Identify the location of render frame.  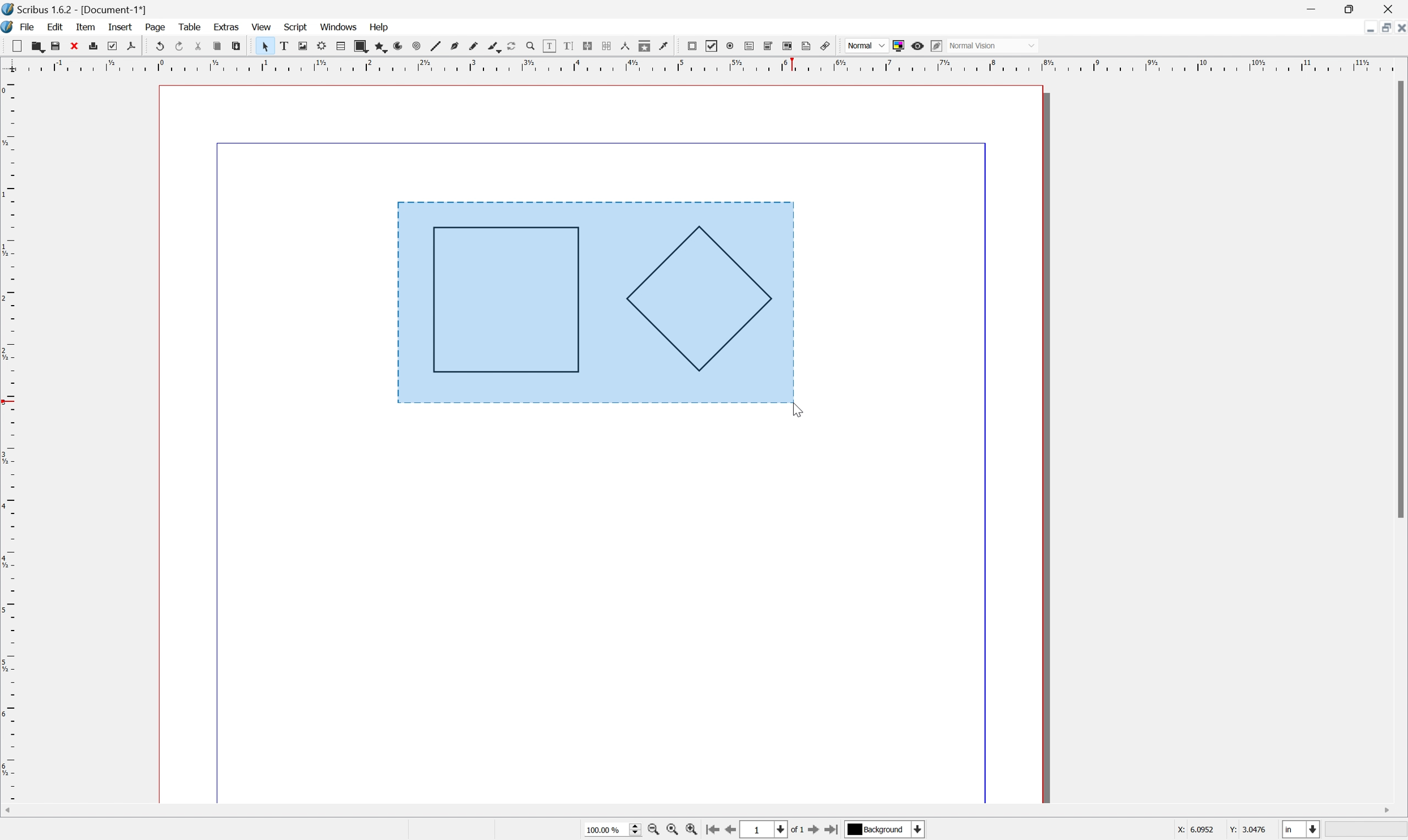
(319, 45).